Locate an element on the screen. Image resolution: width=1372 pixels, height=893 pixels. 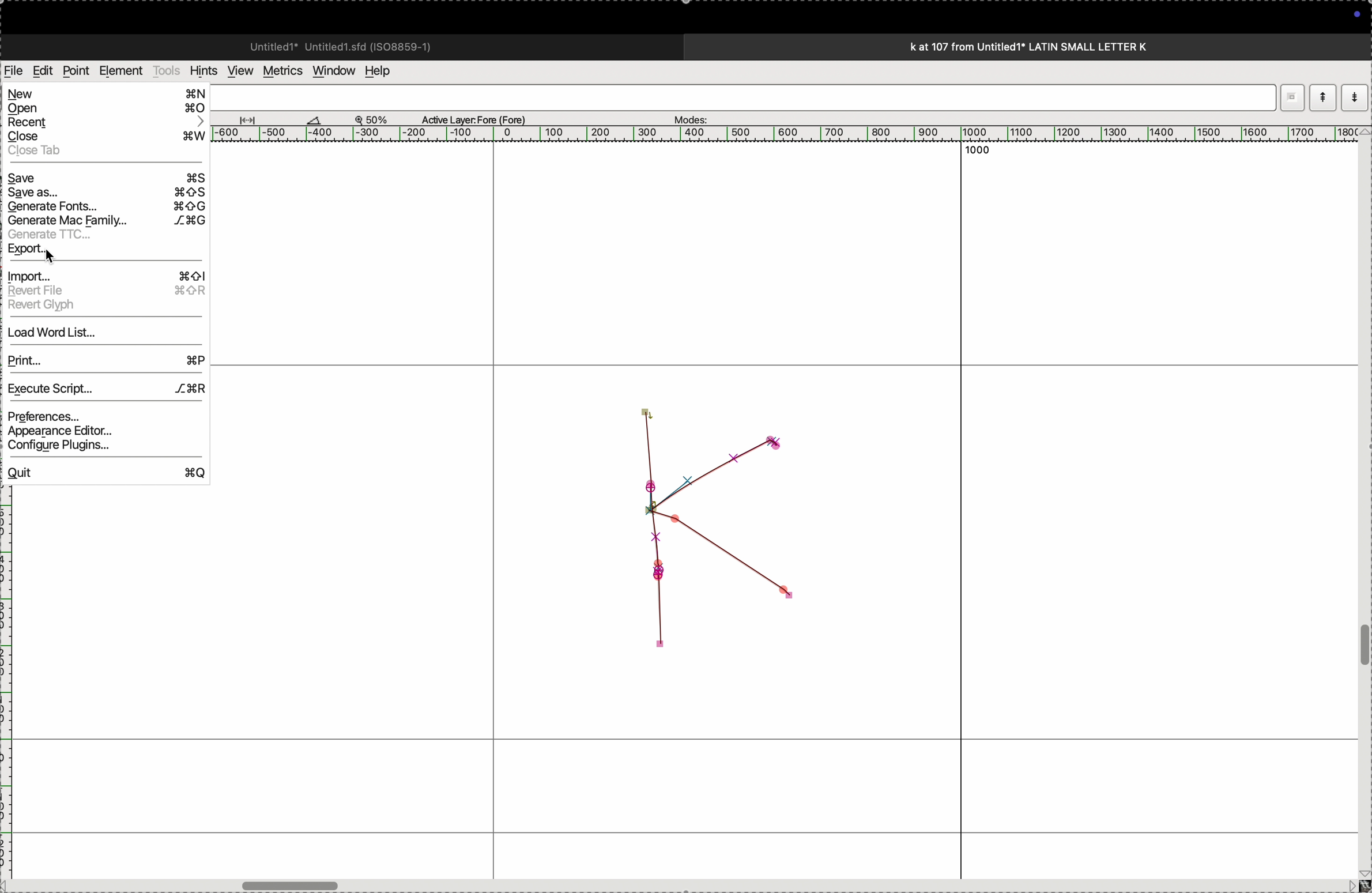
close is located at coordinates (105, 137).